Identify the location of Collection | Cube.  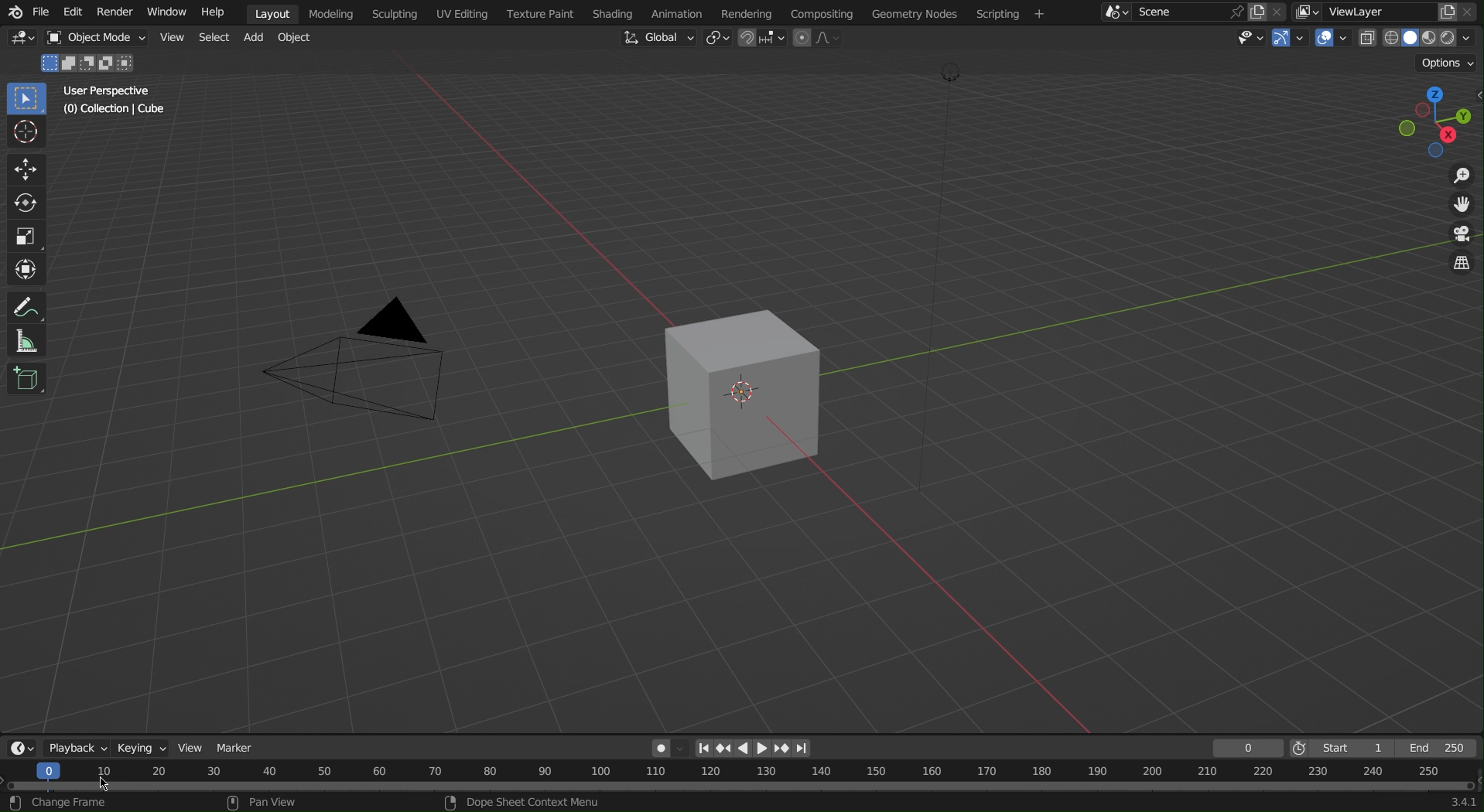
(116, 109).